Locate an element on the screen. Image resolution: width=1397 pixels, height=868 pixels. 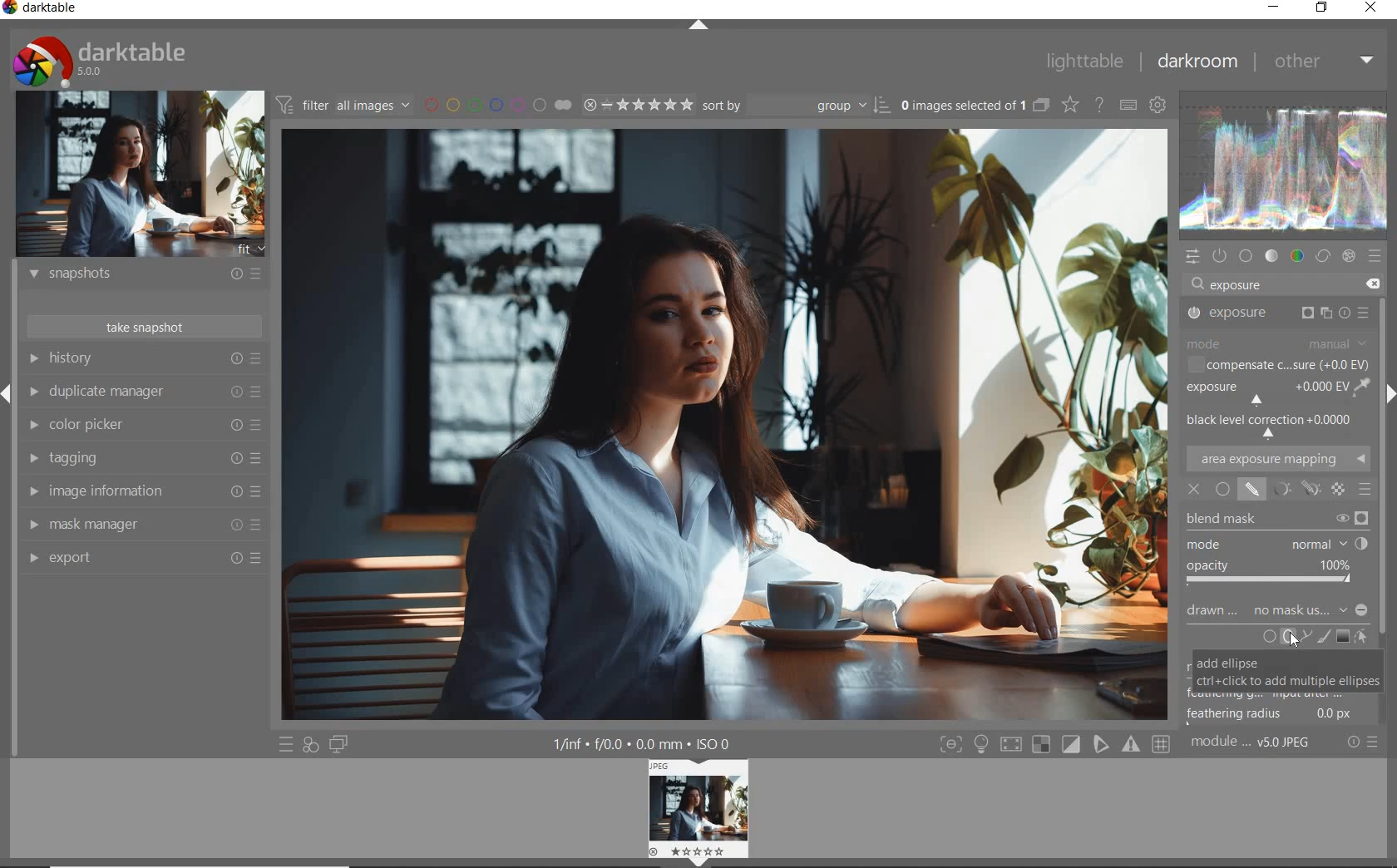
EXPOSURE is located at coordinates (1266, 392).